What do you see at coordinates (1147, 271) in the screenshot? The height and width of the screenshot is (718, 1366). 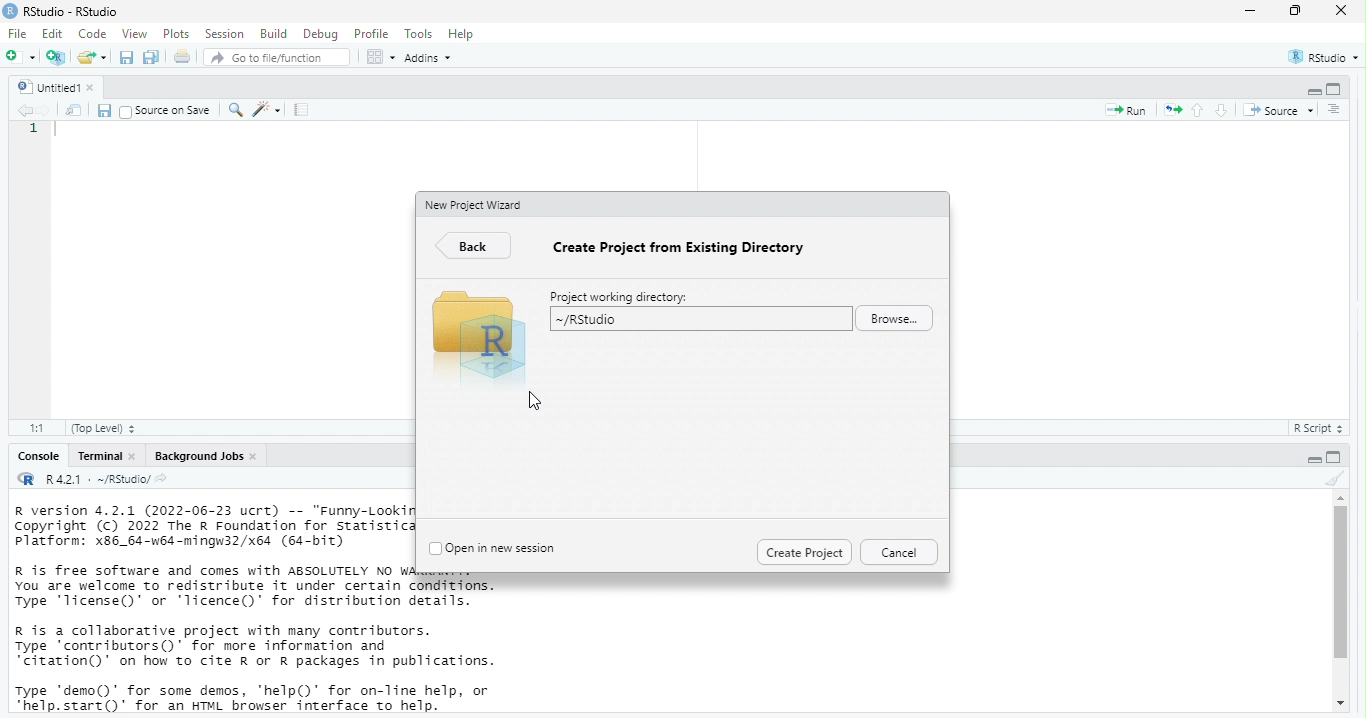 I see `code area` at bounding box center [1147, 271].